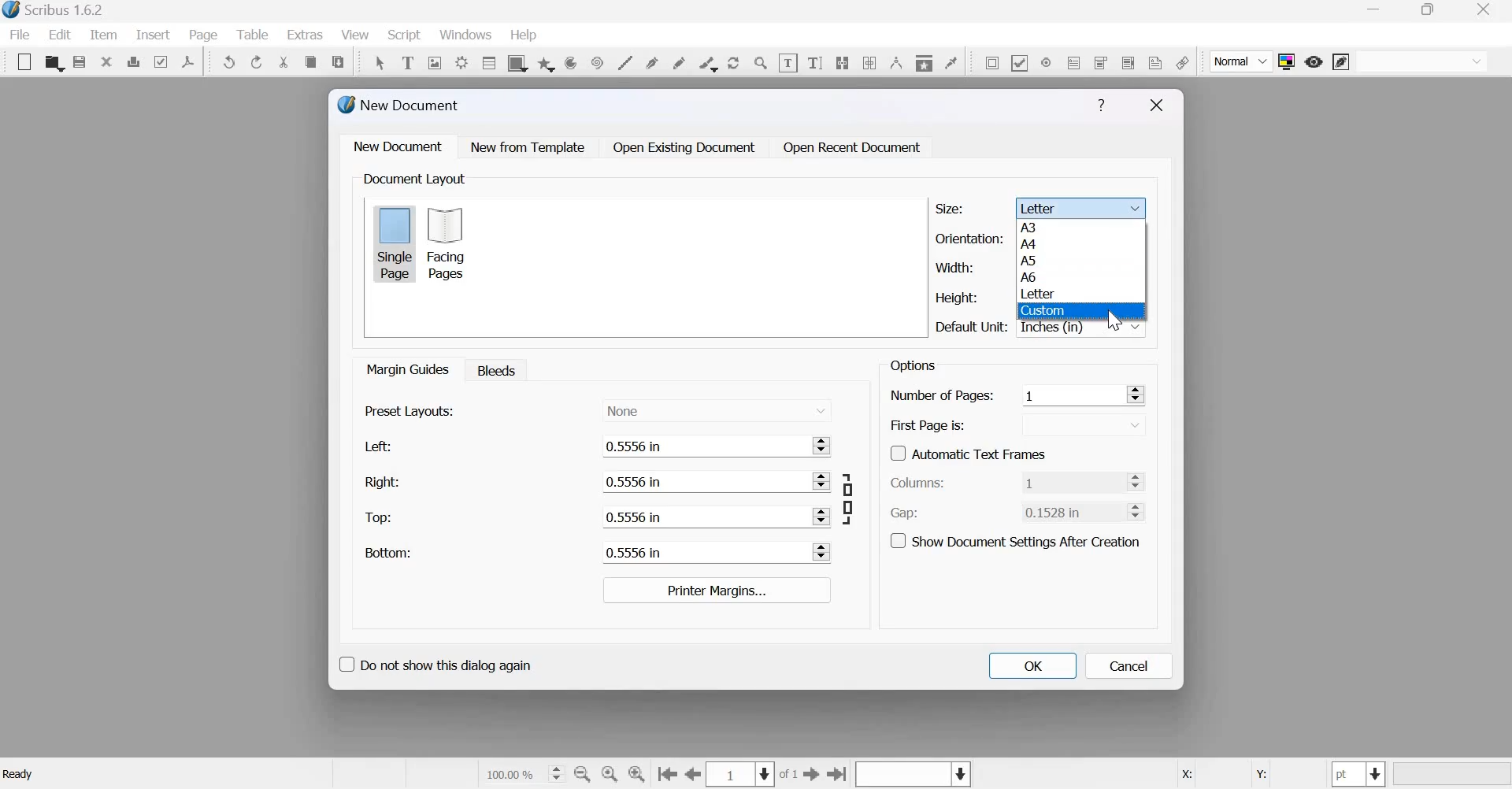 This screenshot has width=1512, height=789. What do you see at coordinates (407, 61) in the screenshot?
I see `Text frame` at bounding box center [407, 61].